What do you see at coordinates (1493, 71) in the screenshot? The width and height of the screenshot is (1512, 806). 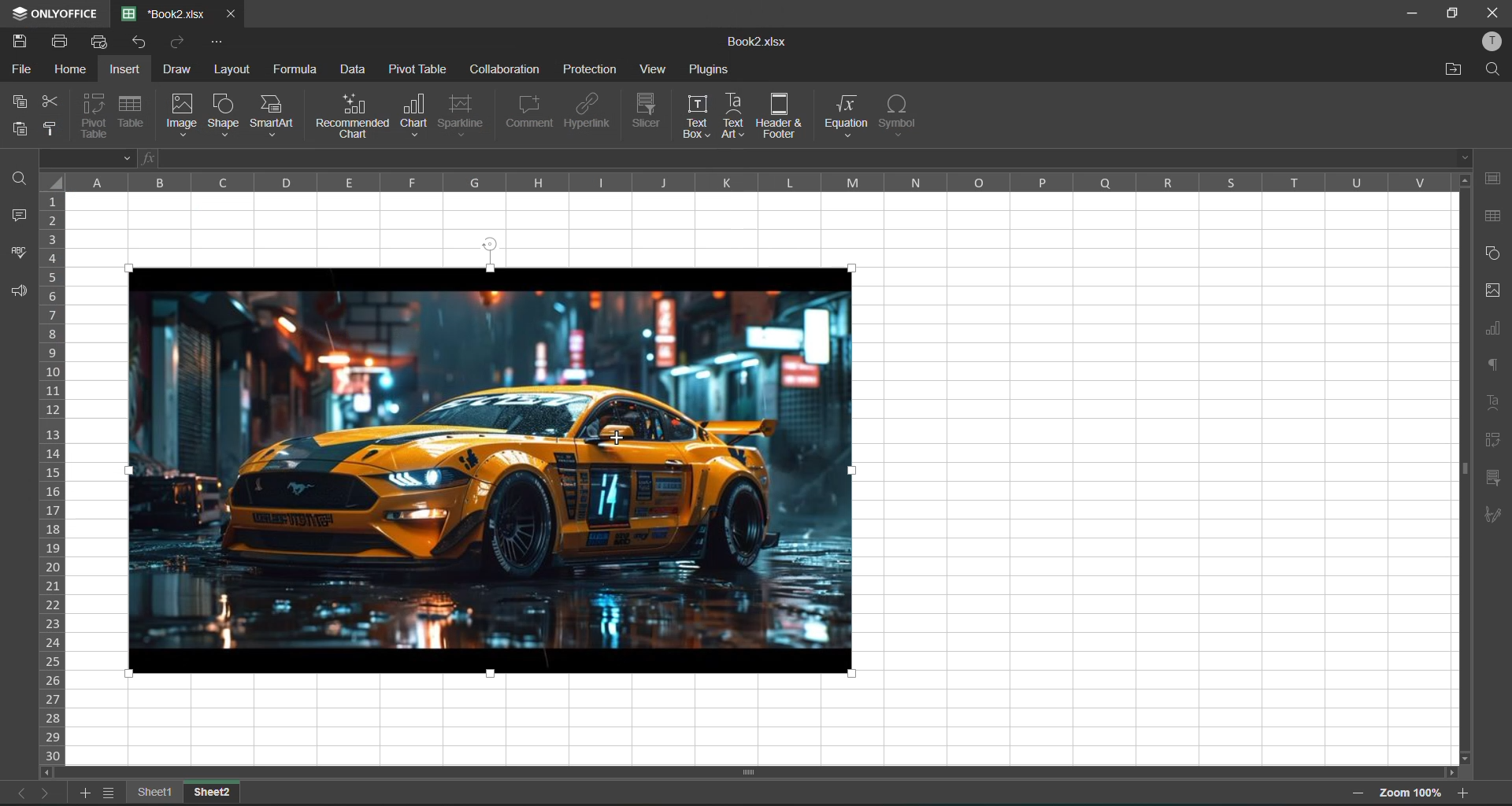 I see `find` at bounding box center [1493, 71].